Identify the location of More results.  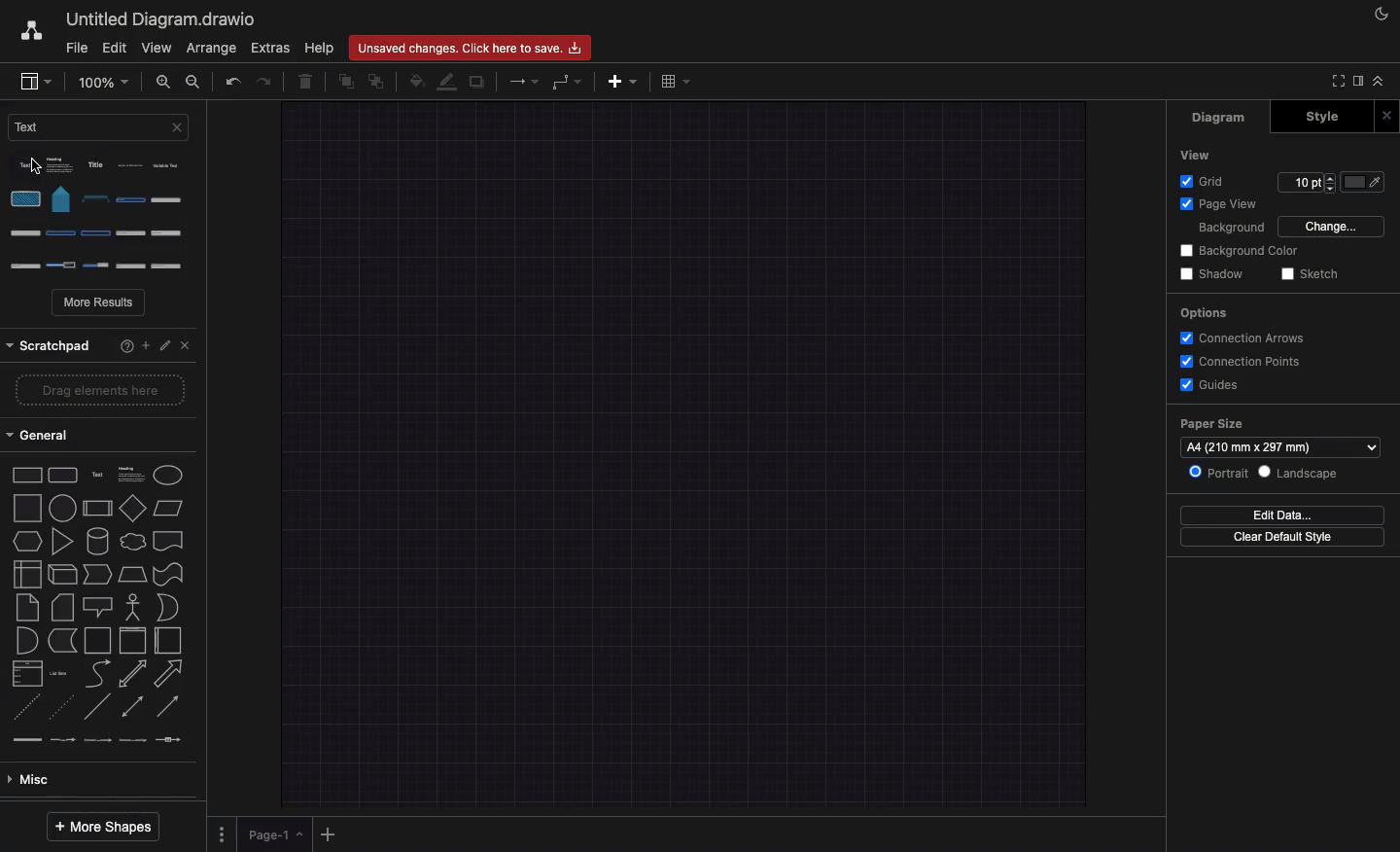
(100, 304).